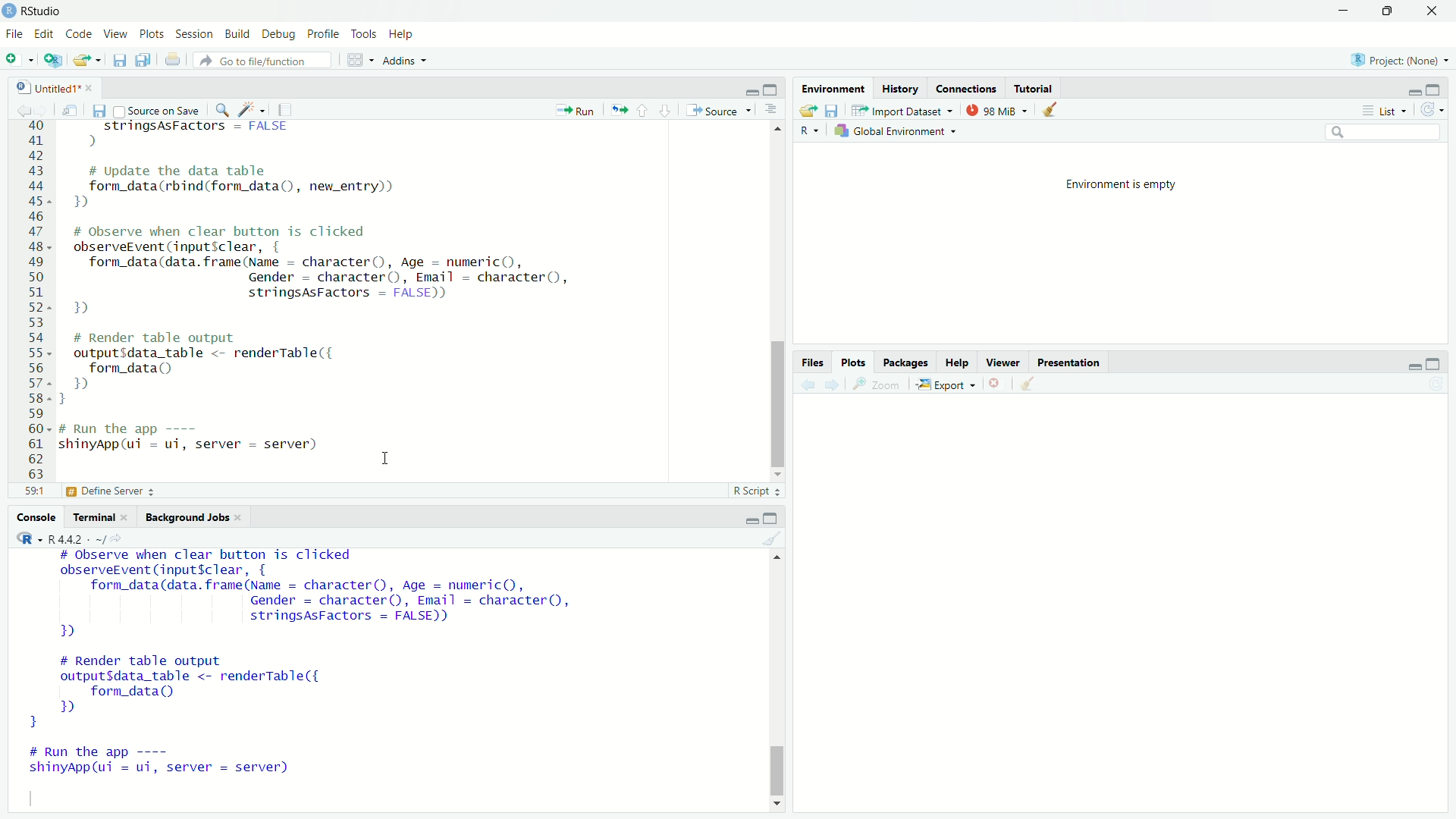 This screenshot has width=1456, height=819. I want to click on cursor, so click(385, 460).